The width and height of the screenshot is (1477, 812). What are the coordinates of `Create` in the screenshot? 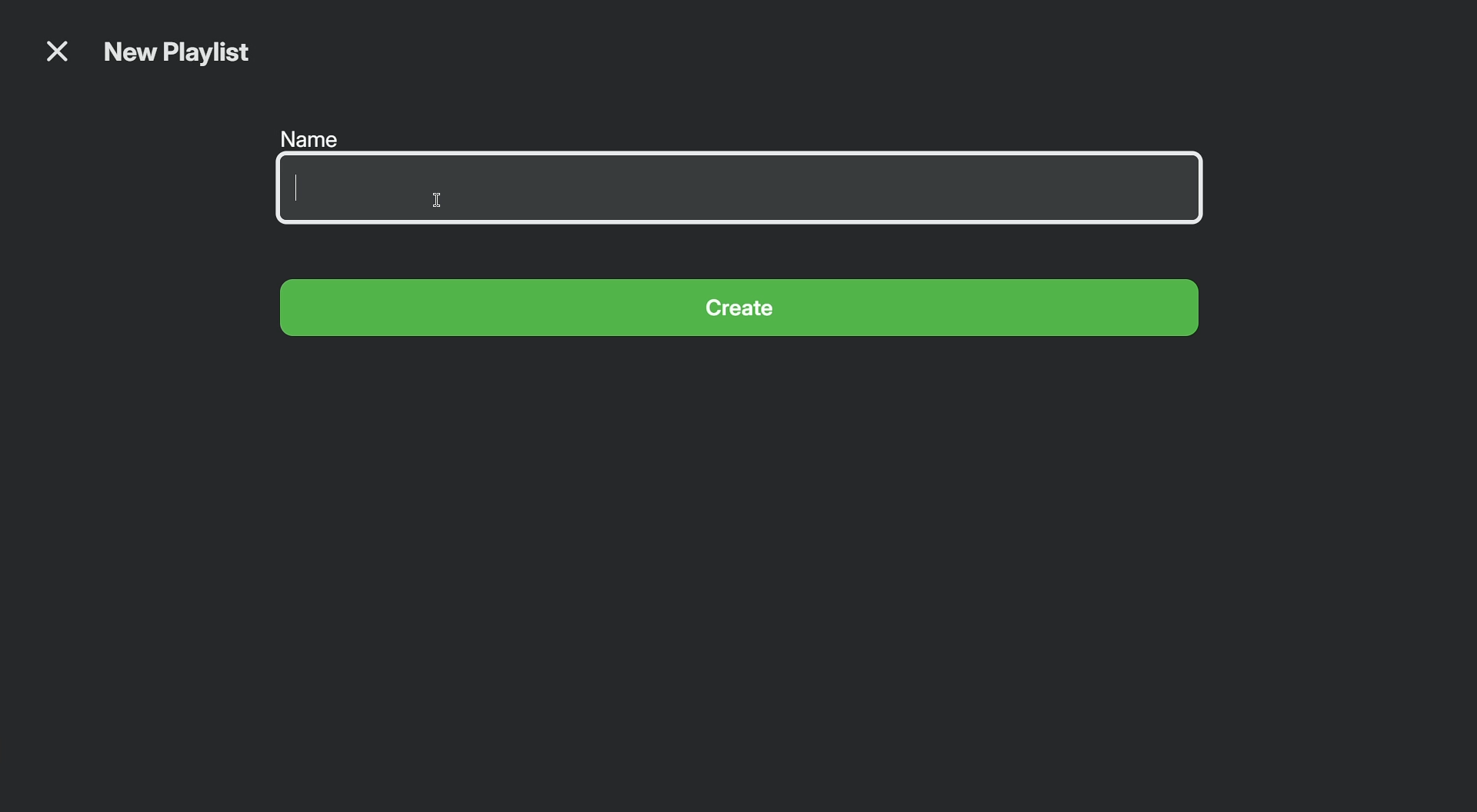 It's located at (742, 311).